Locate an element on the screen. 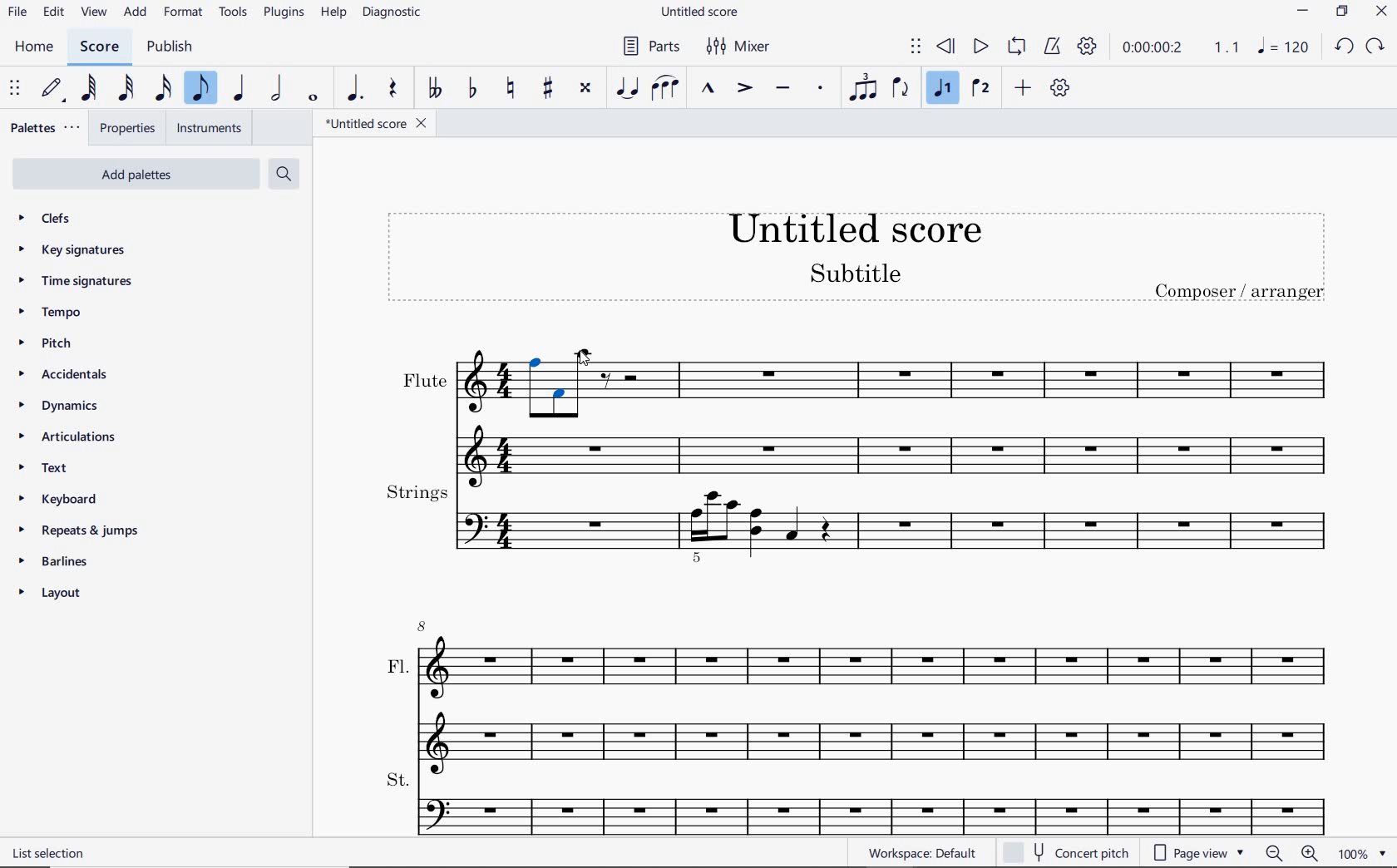  edit is located at coordinates (53, 12).